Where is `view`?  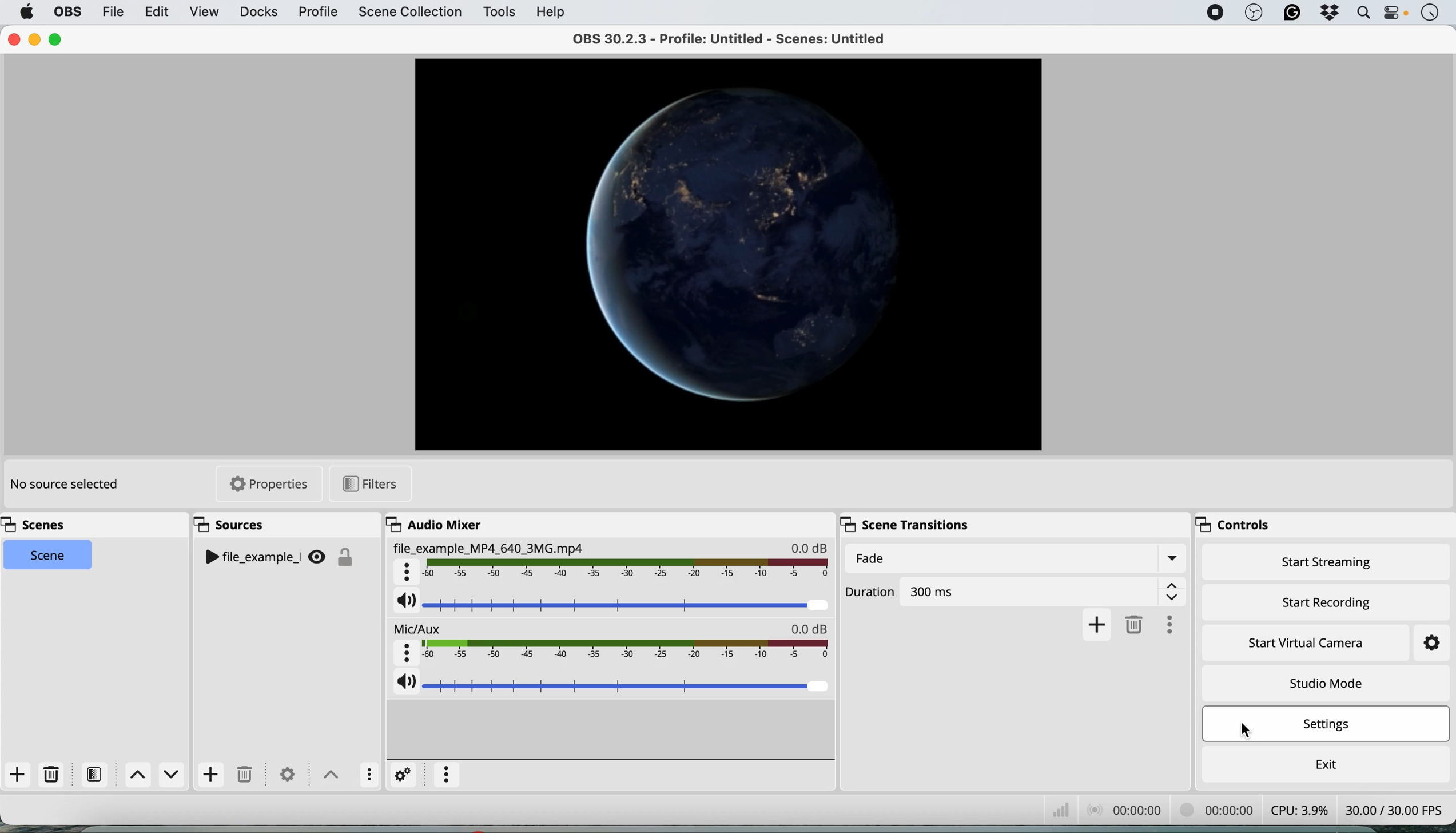
view is located at coordinates (204, 13).